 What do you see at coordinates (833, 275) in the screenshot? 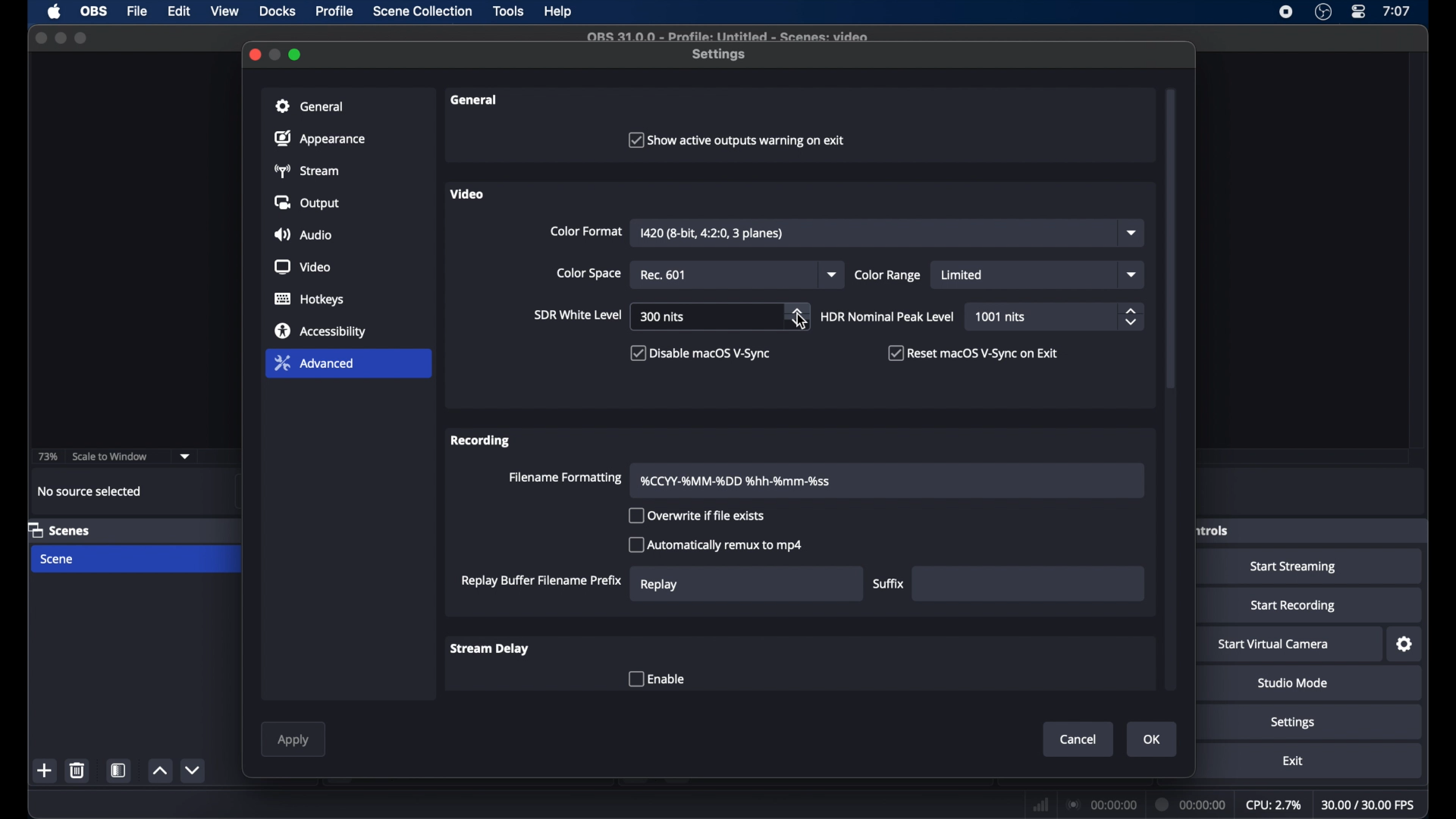
I see `dropdown` at bounding box center [833, 275].